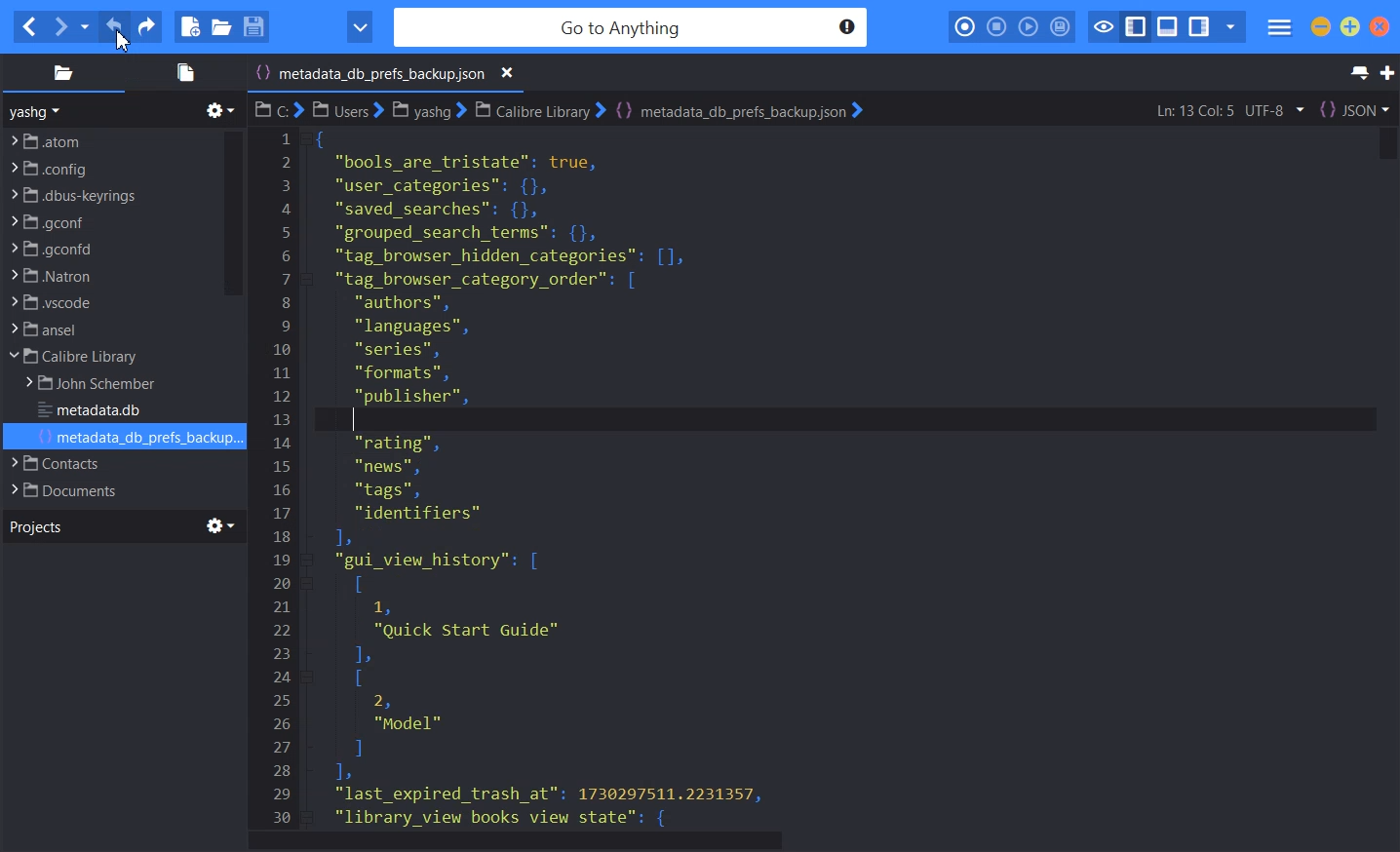 The height and width of the screenshot is (852, 1400). Describe the element at coordinates (360, 27) in the screenshot. I see `View in browser` at that location.